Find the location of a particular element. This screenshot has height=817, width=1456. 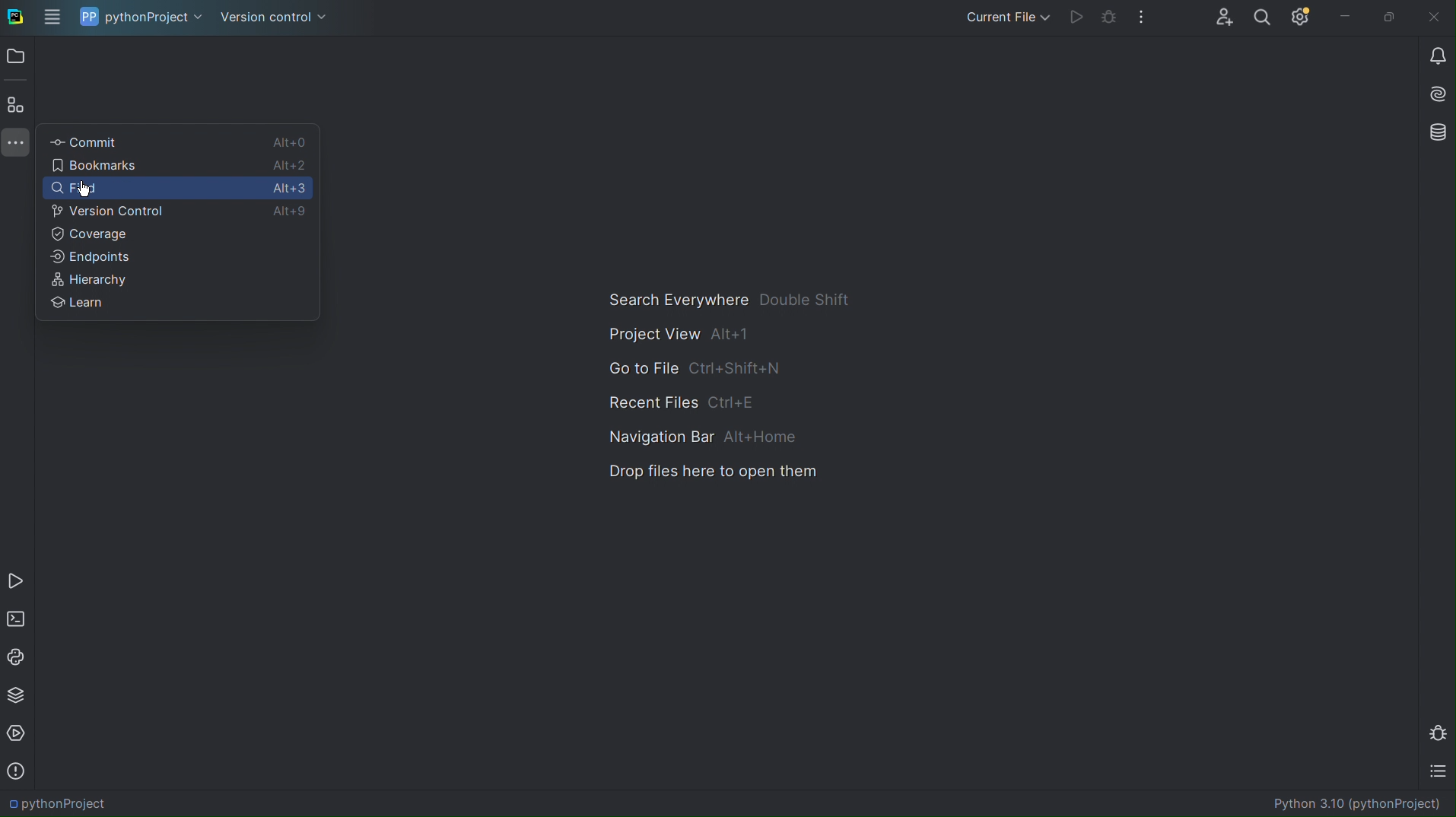

Alt+2 is located at coordinates (289, 163).